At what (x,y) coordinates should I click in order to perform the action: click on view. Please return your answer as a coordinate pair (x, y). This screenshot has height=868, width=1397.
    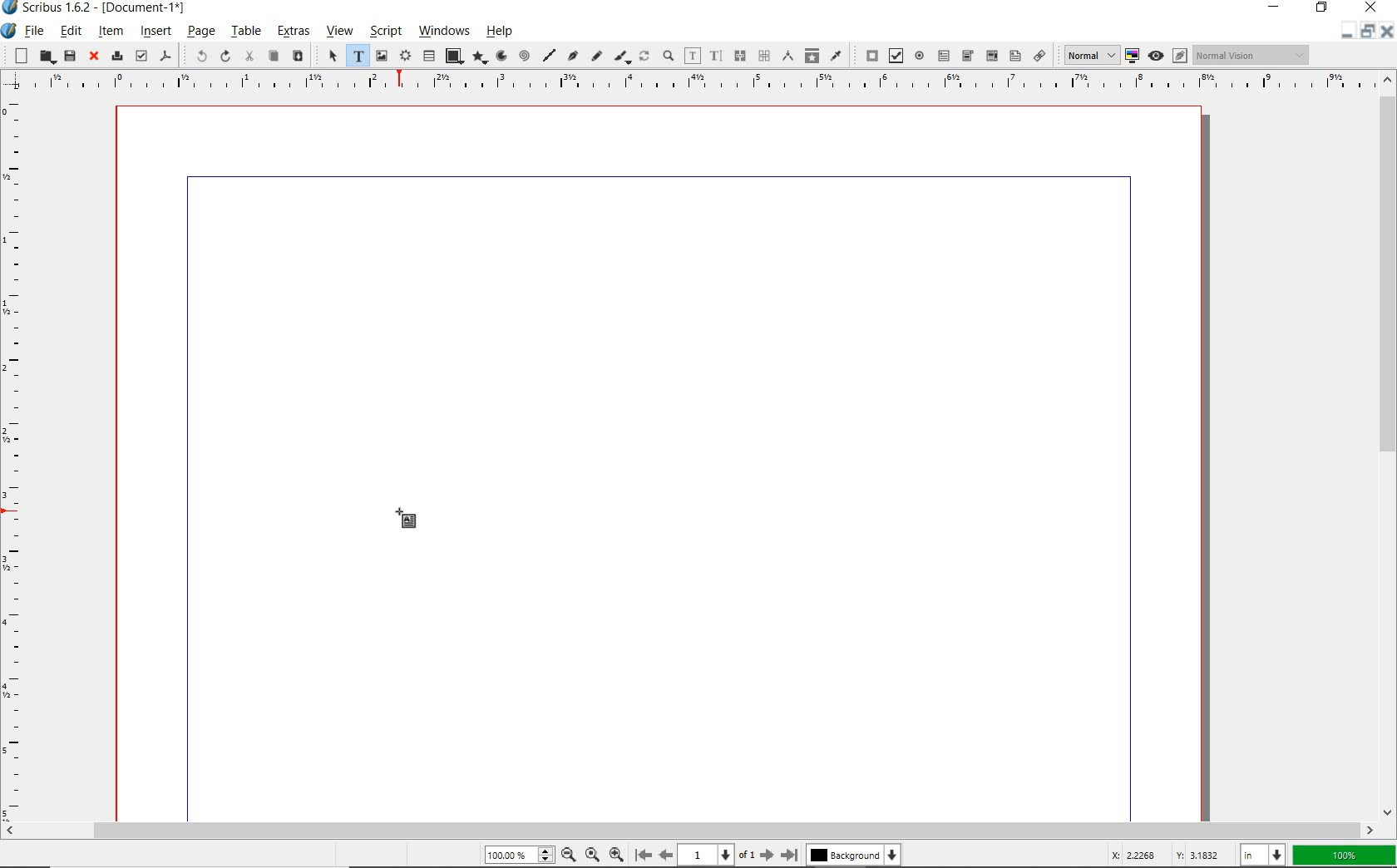
    Looking at the image, I should click on (338, 33).